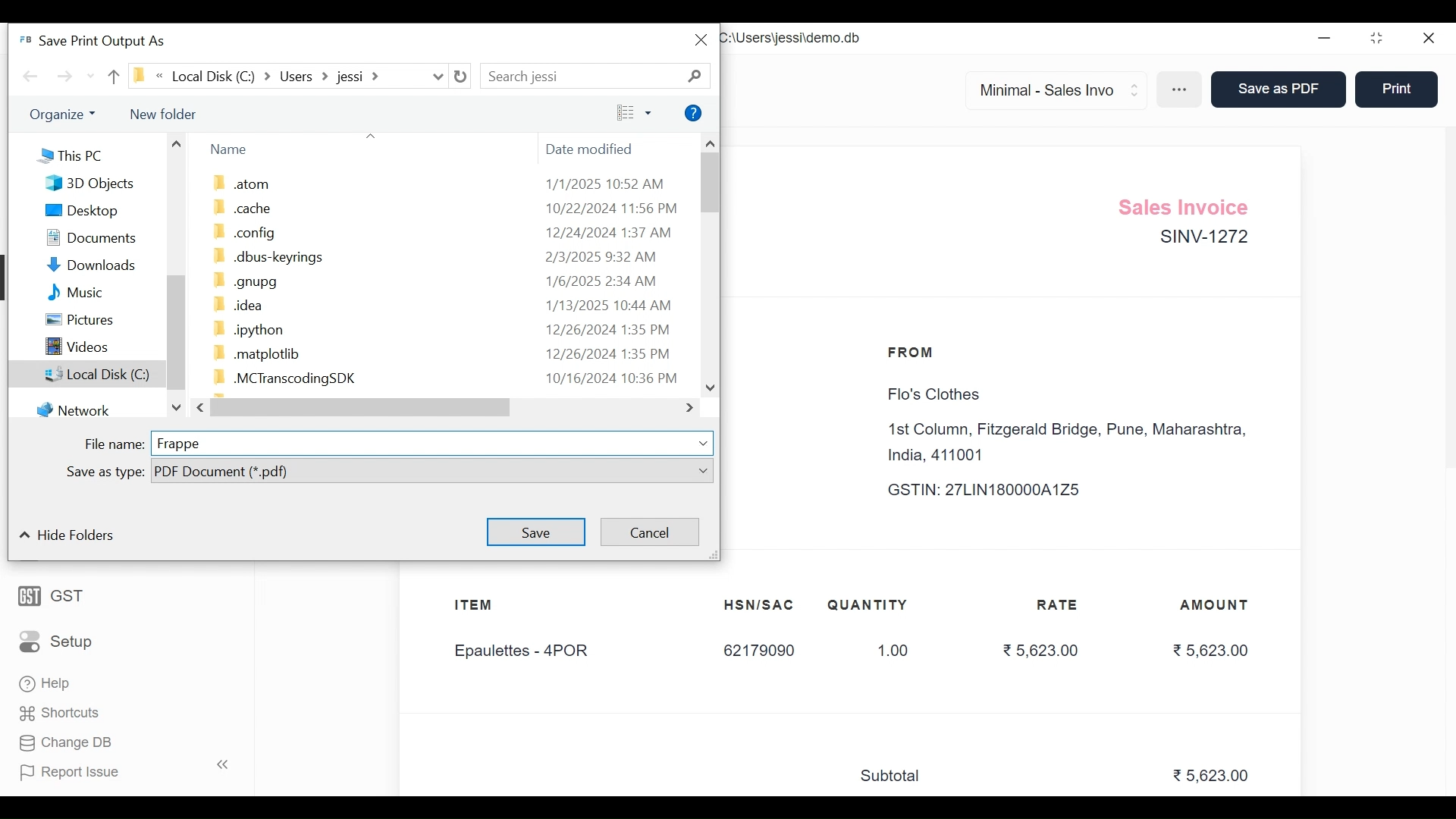 This screenshot has height=819, width=1456. I want to click on 1/1/2025 10:52 AM, so click(607, 183).